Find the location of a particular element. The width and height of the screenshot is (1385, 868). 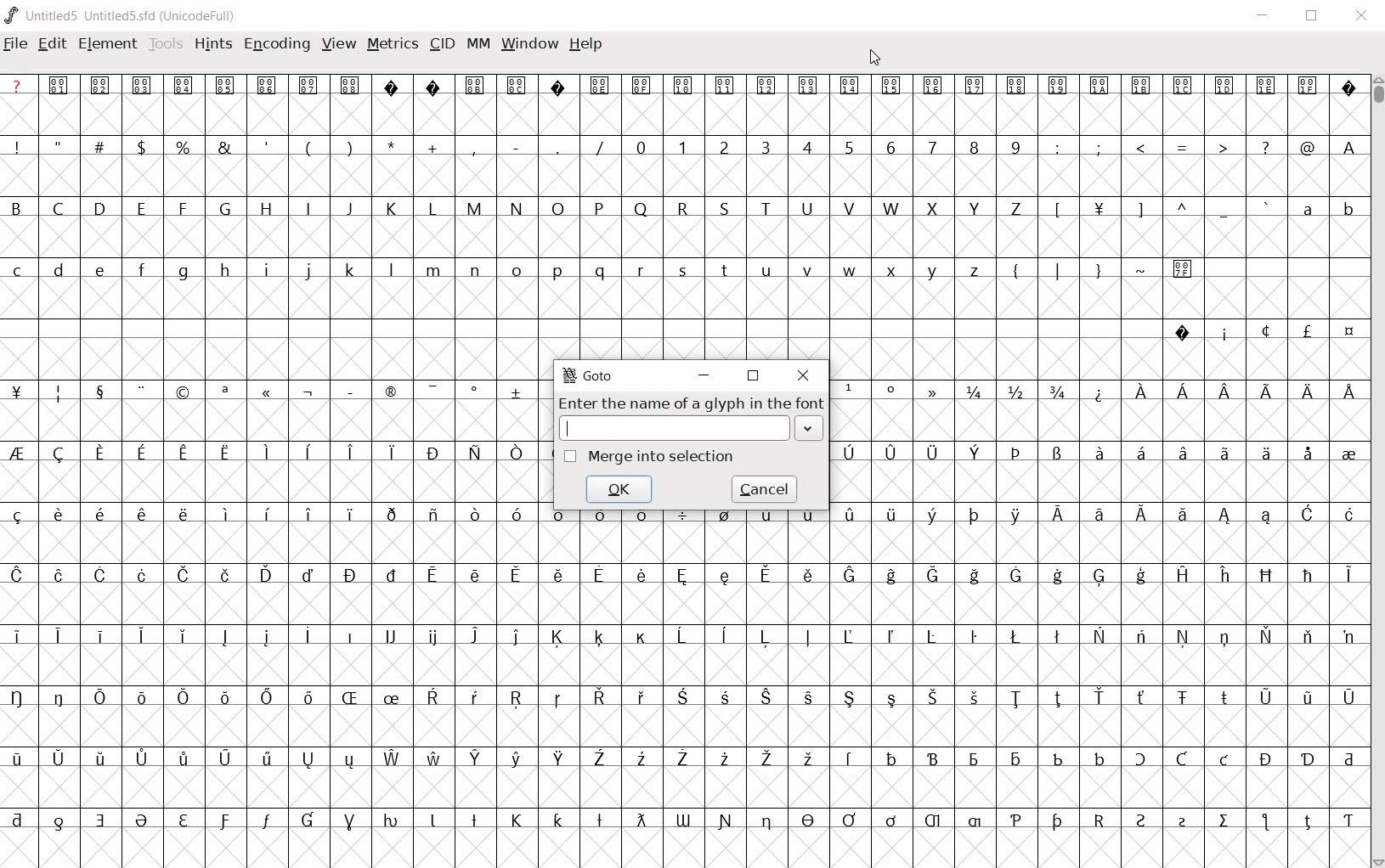

Symbol is located at coordinates (476, 635).